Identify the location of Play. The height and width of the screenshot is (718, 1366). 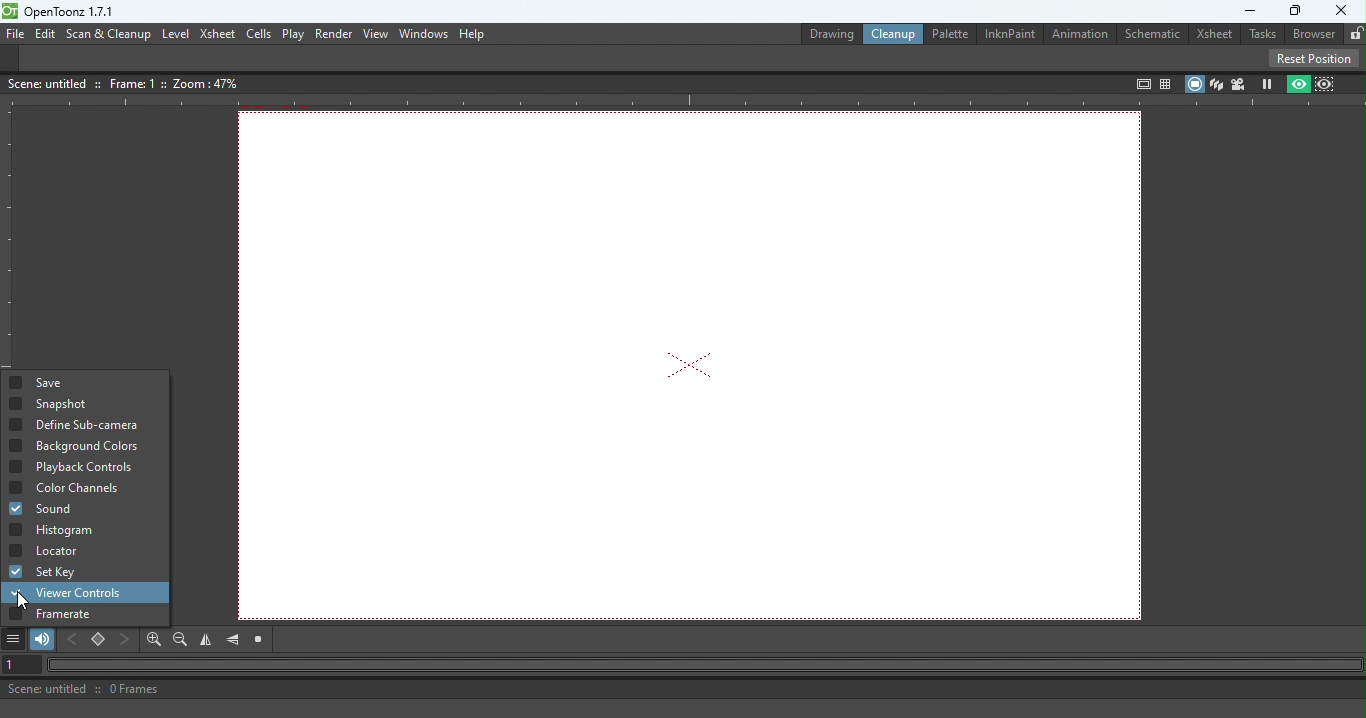
(293, 34).